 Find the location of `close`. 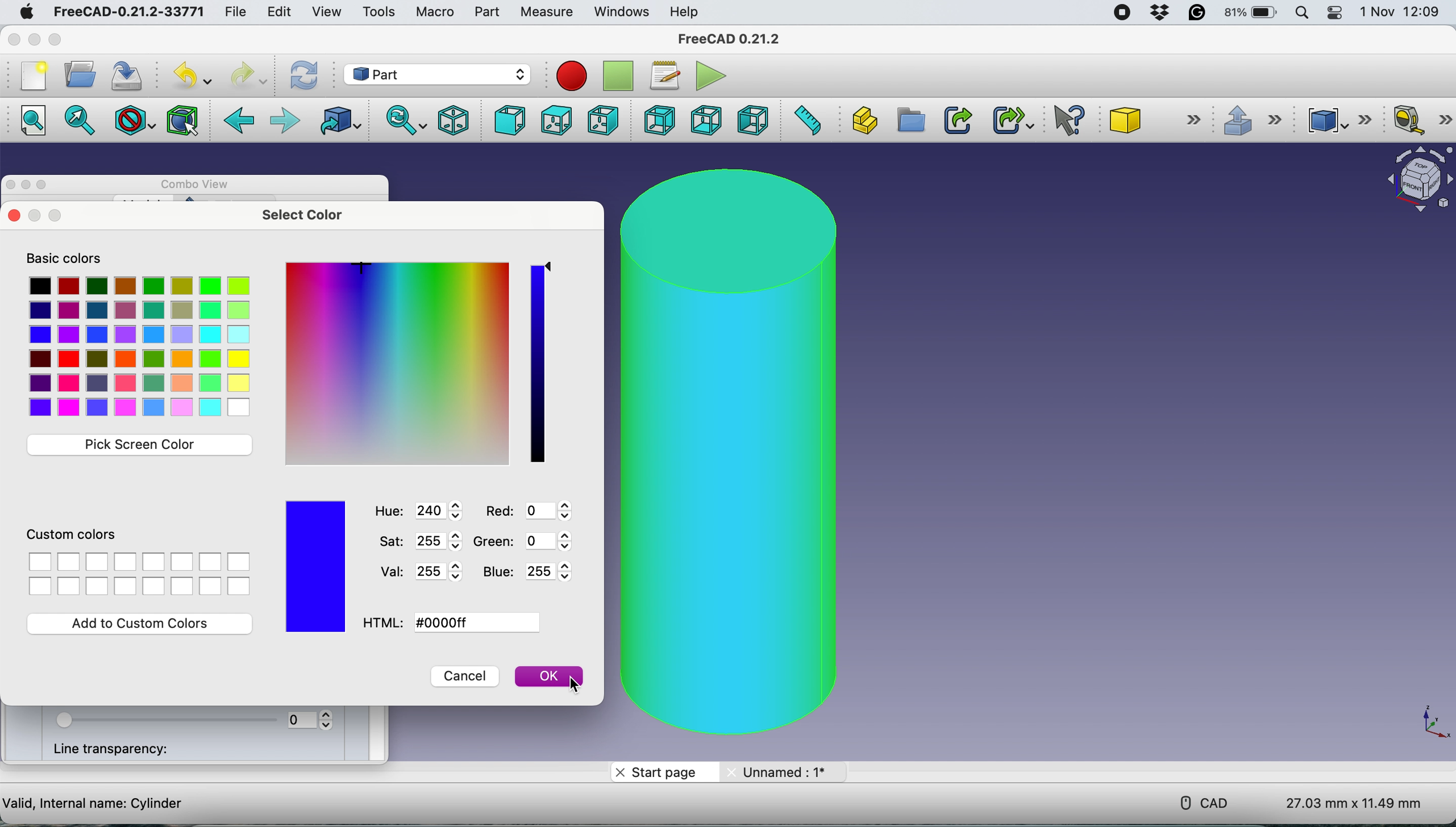

close is located at coordinates (33, 223).